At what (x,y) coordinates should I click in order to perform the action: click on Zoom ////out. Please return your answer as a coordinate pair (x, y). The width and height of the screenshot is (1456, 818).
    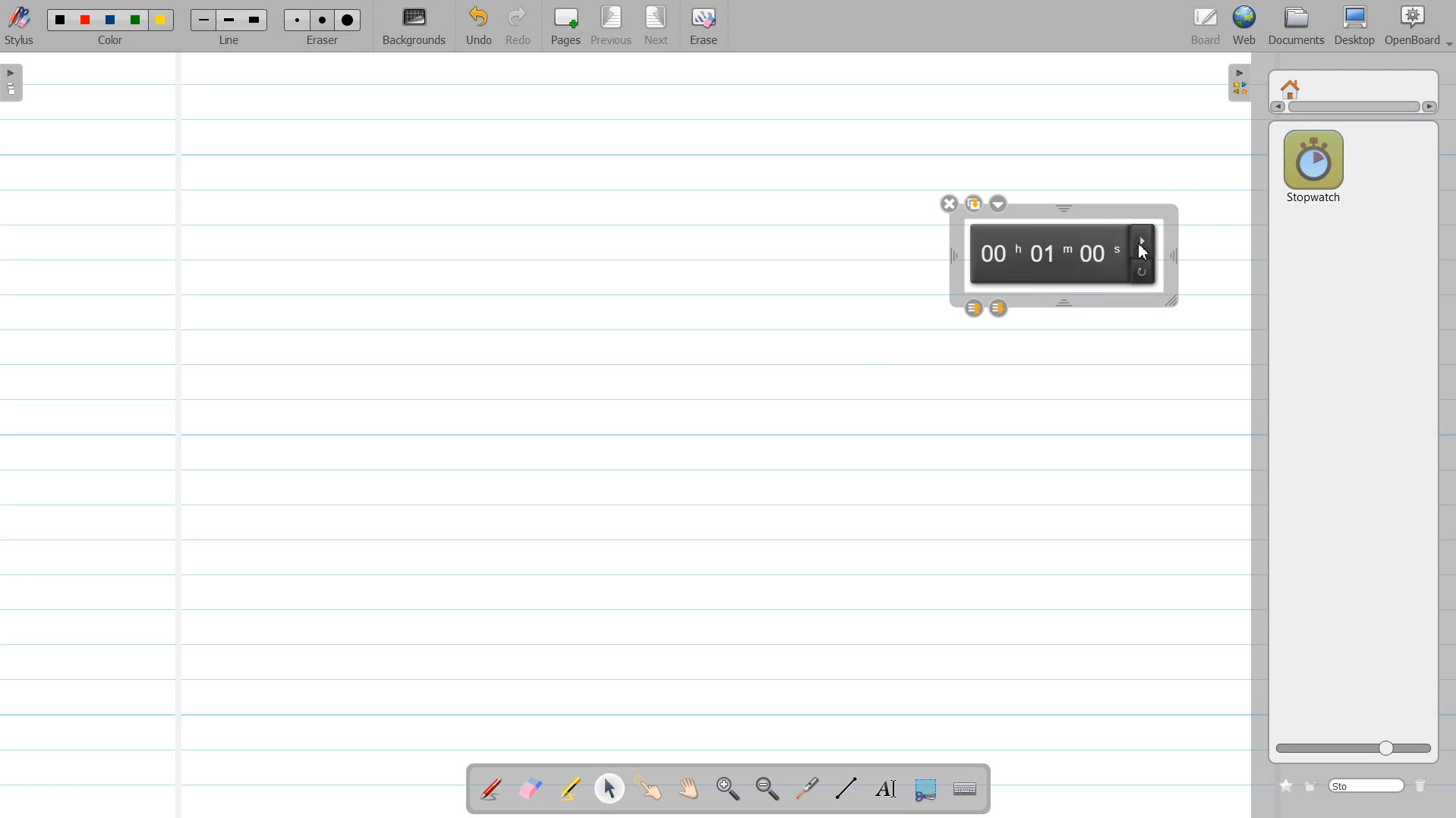
    Looking at the image, I should click on (770, 788).